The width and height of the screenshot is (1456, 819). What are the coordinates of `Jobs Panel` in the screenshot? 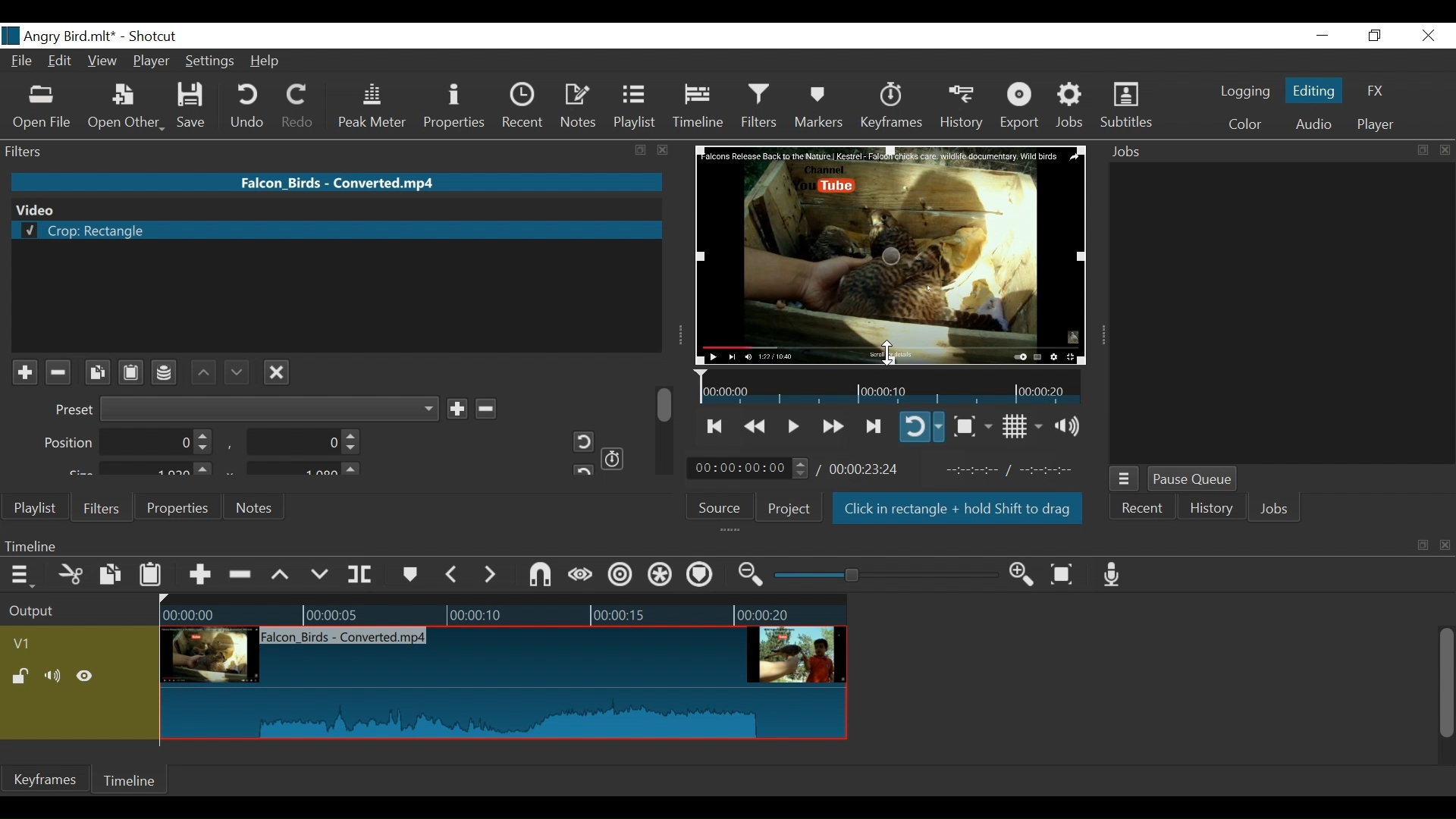 It's located at (1282, 312).